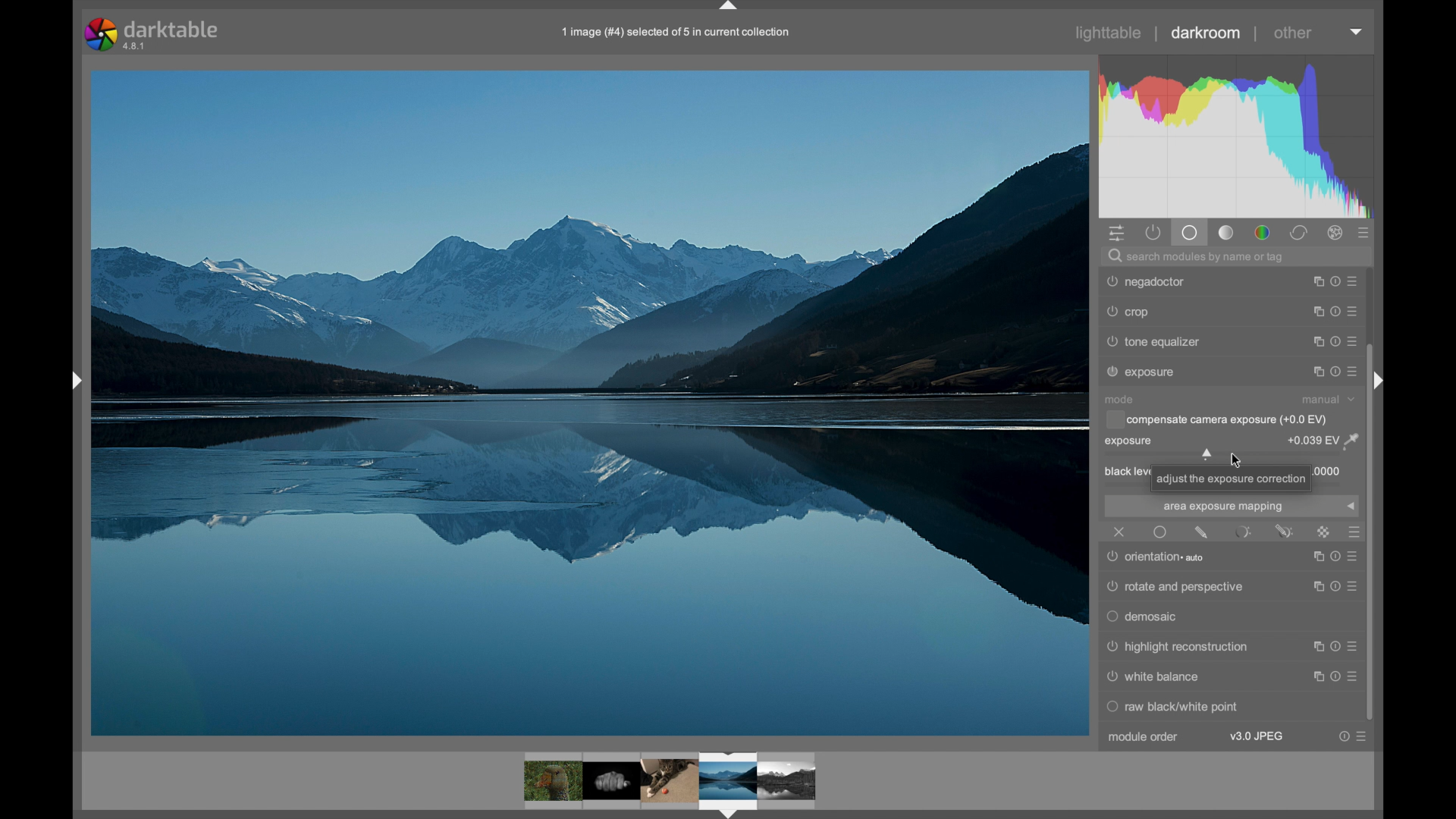  Describe the element at coordinates (156, 33) in the screenshot. I see `darktable` at that location.